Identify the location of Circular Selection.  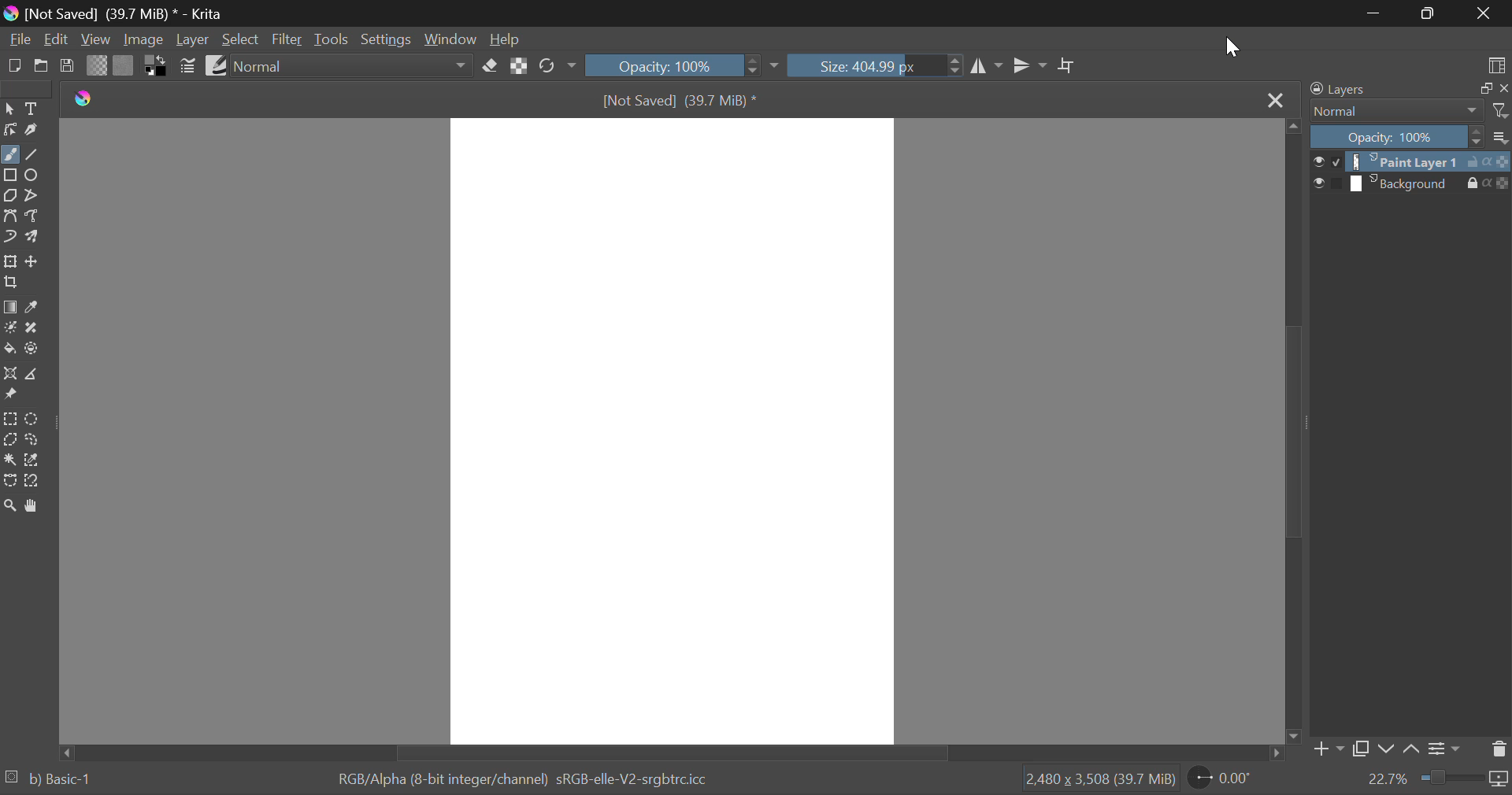
(32, 419).